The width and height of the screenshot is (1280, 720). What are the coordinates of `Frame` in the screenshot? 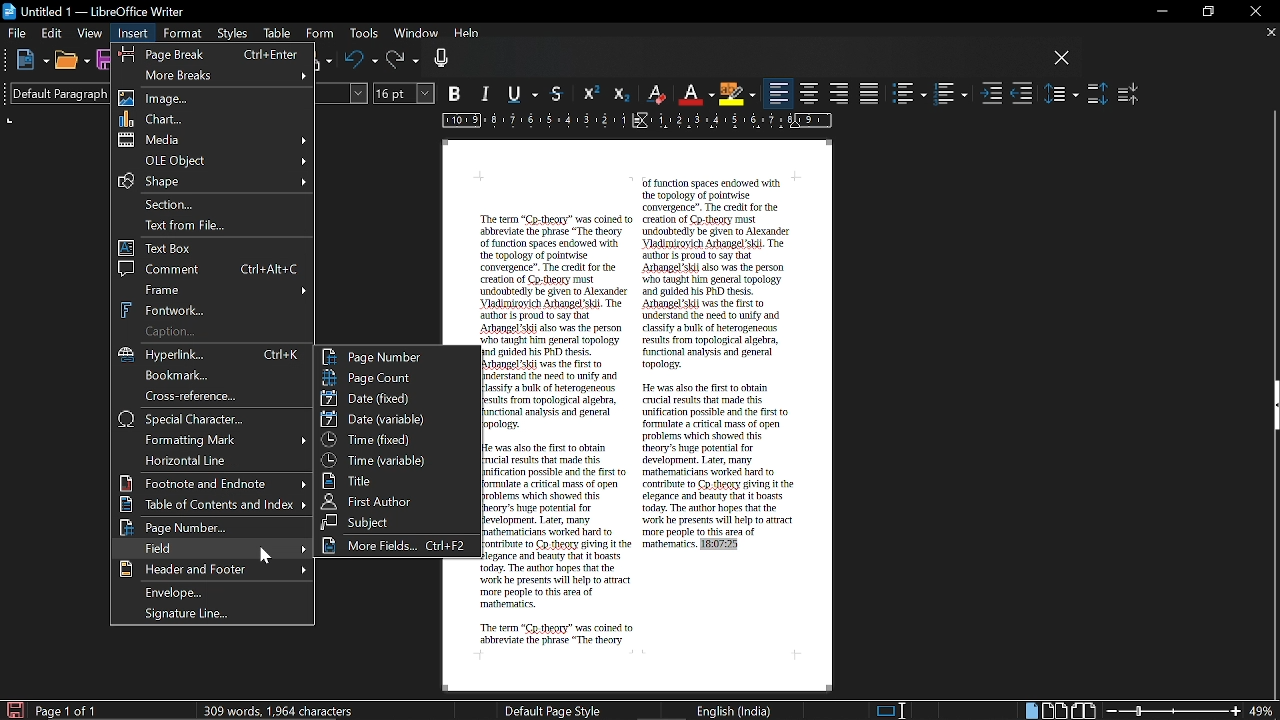 It's located at (215, 289).